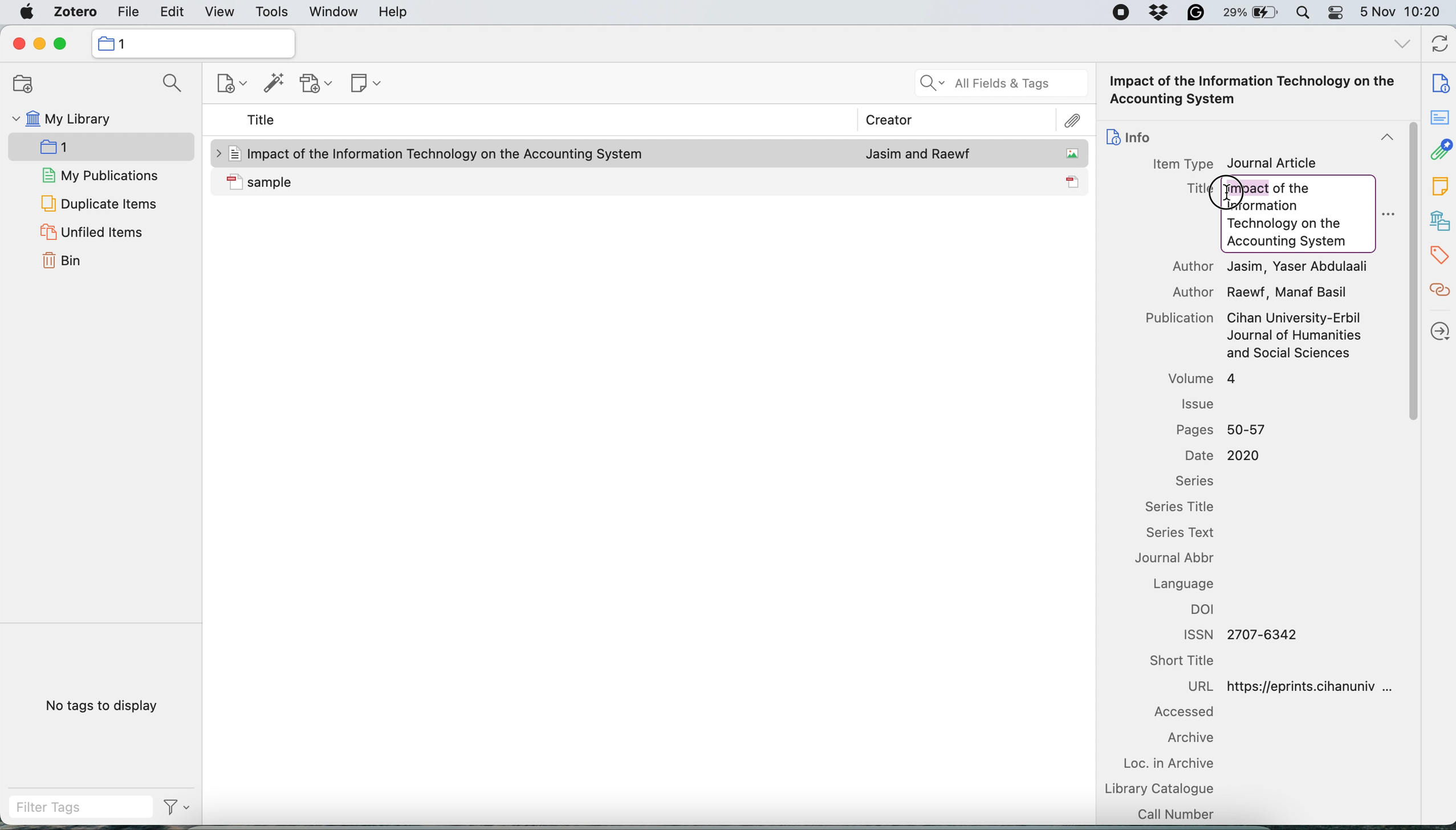 The image size is (1456, 830). What do you see at coordinates (1338, 14) in the screenshot?
I see `control center` at bounding box center [1338, 14].